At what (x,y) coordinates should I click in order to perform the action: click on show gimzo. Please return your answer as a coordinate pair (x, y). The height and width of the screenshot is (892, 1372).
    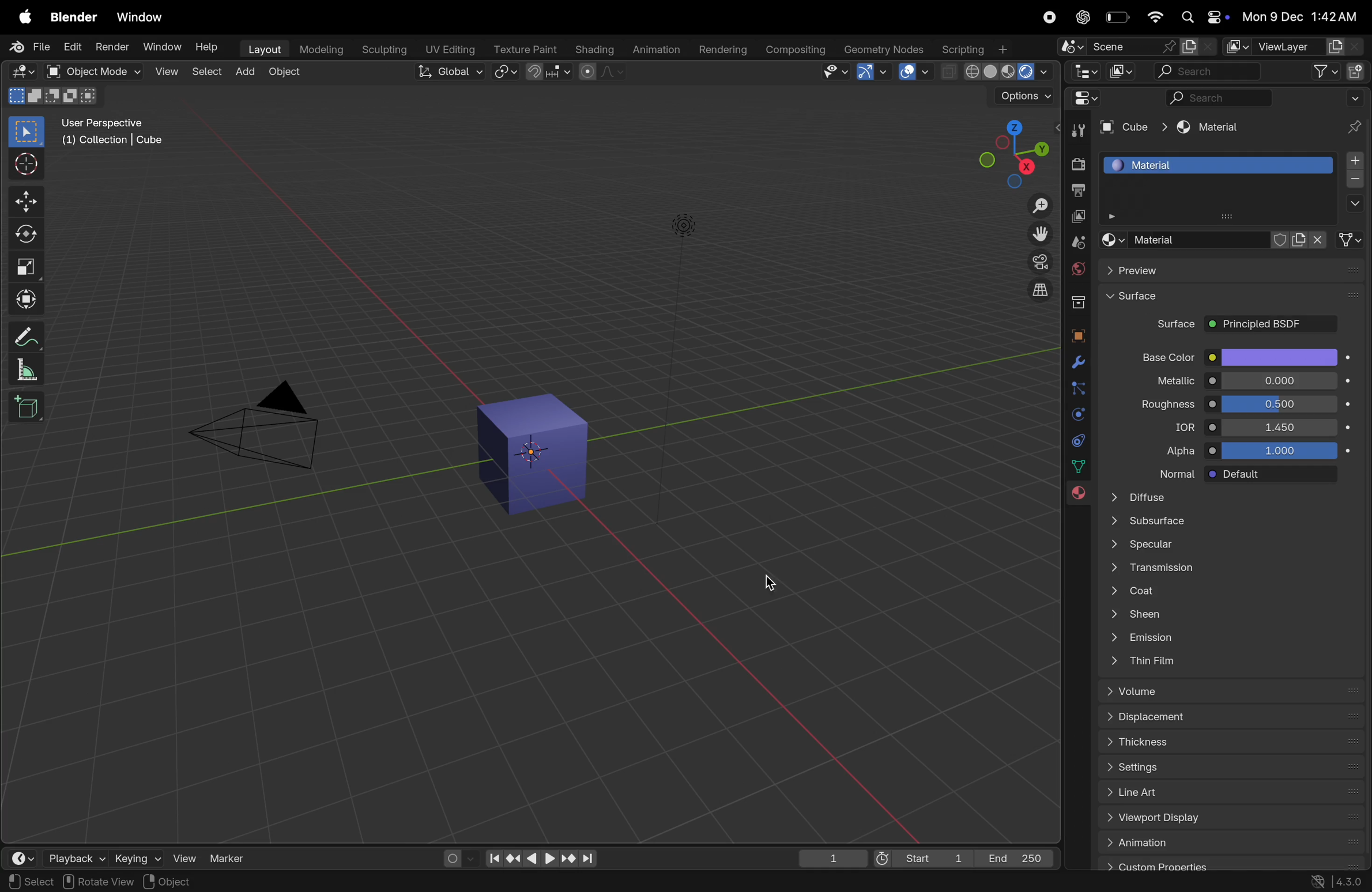
    Looking at the image, I should click on (872, 71).